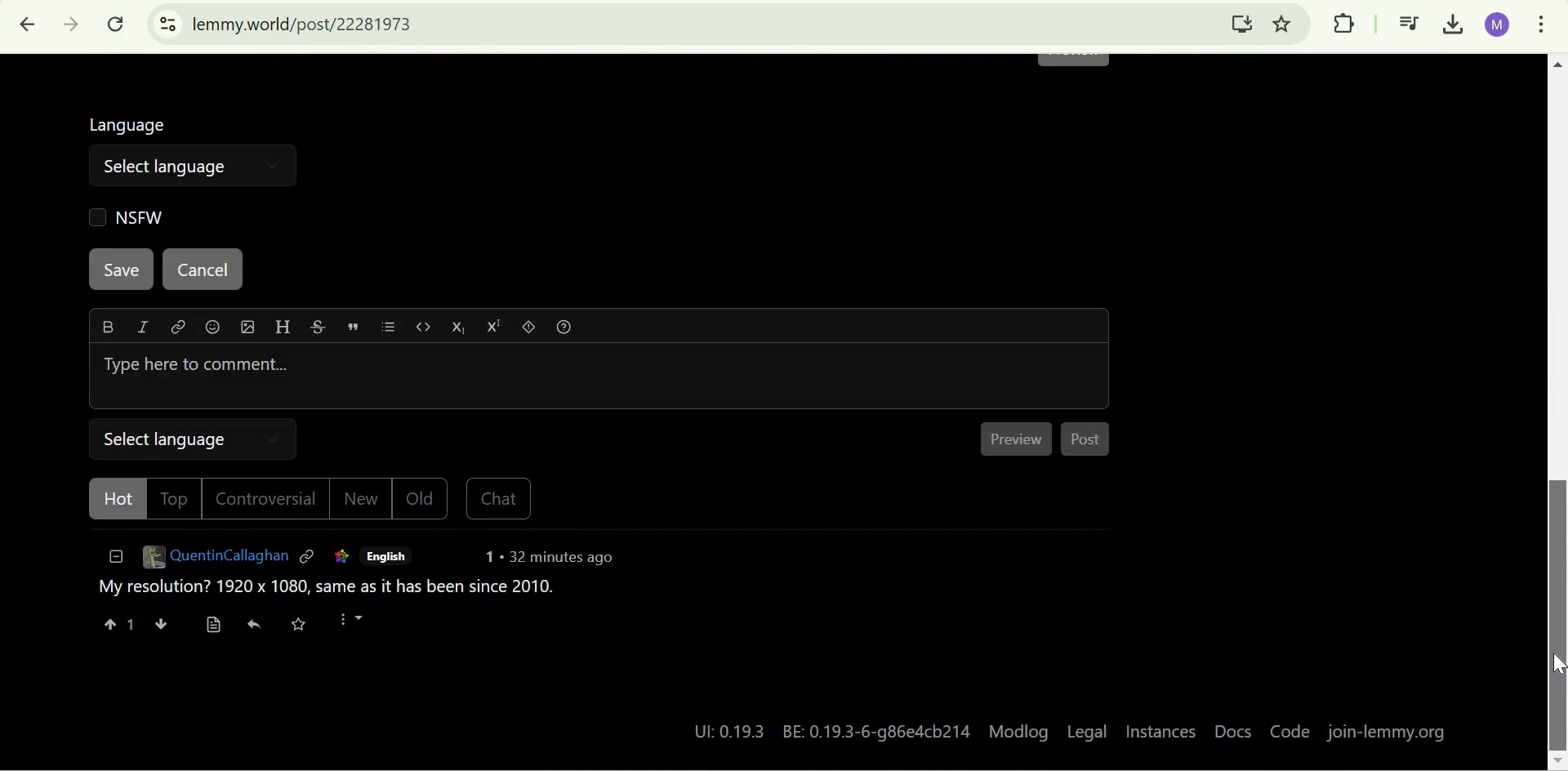  What do you see at coordinates (363, 502) in the screenshot?
I see `New` at bounding box center [363, 502].